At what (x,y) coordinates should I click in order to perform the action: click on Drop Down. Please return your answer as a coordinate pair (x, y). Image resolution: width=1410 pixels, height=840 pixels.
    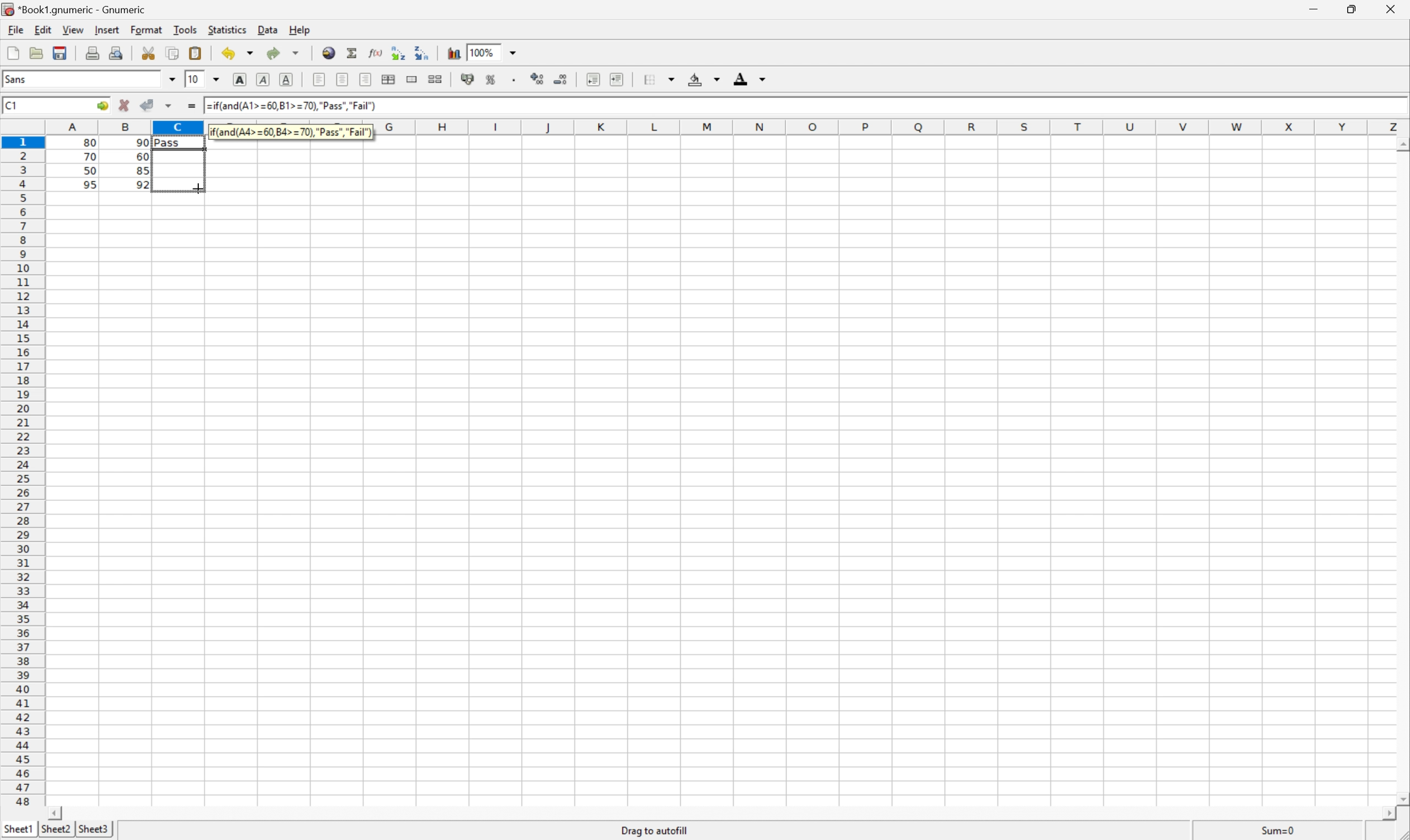
    Looking at the image, I should click on (173, 80).